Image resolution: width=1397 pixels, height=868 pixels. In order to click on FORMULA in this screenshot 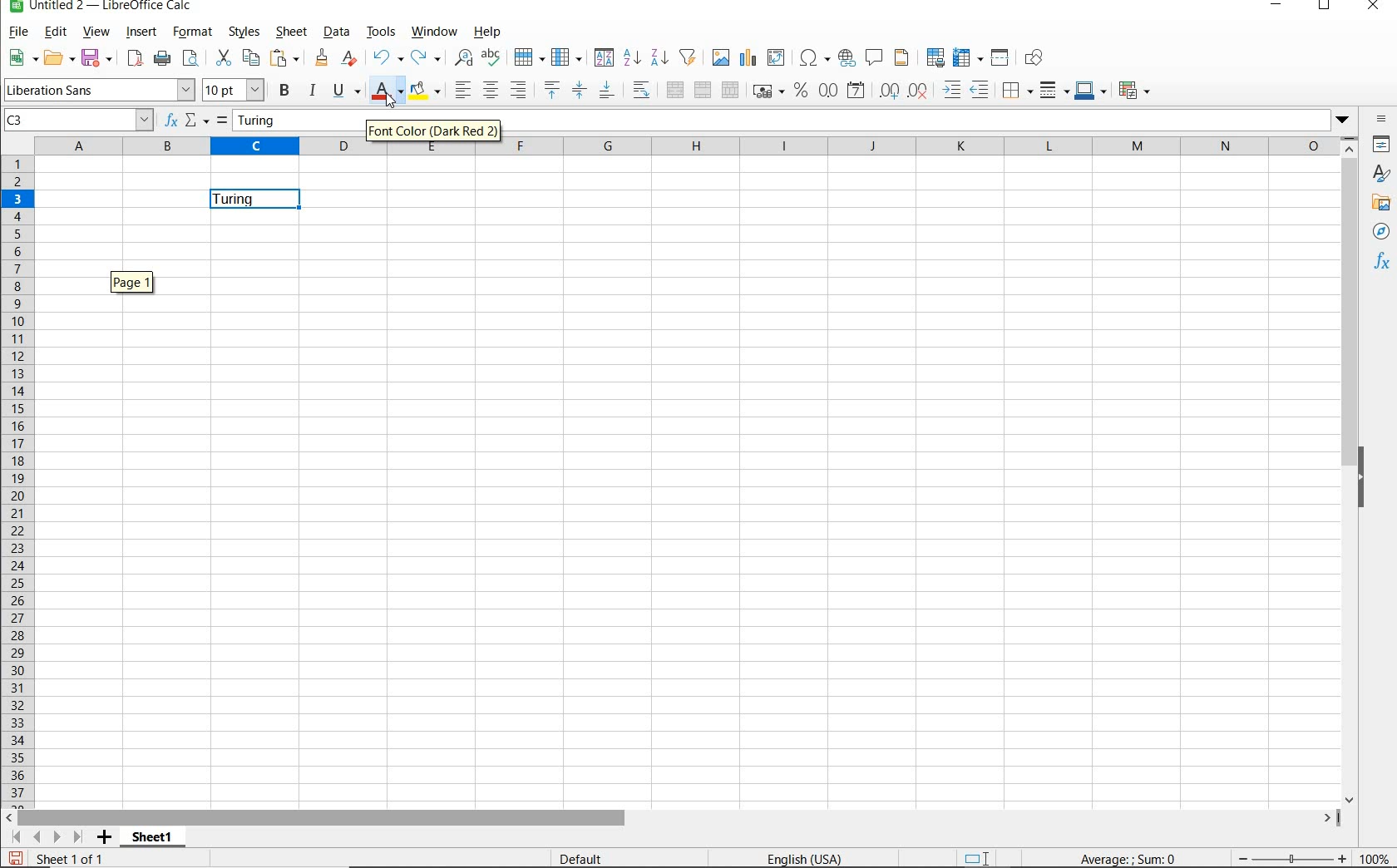, I will do `click(1127, 859)`.